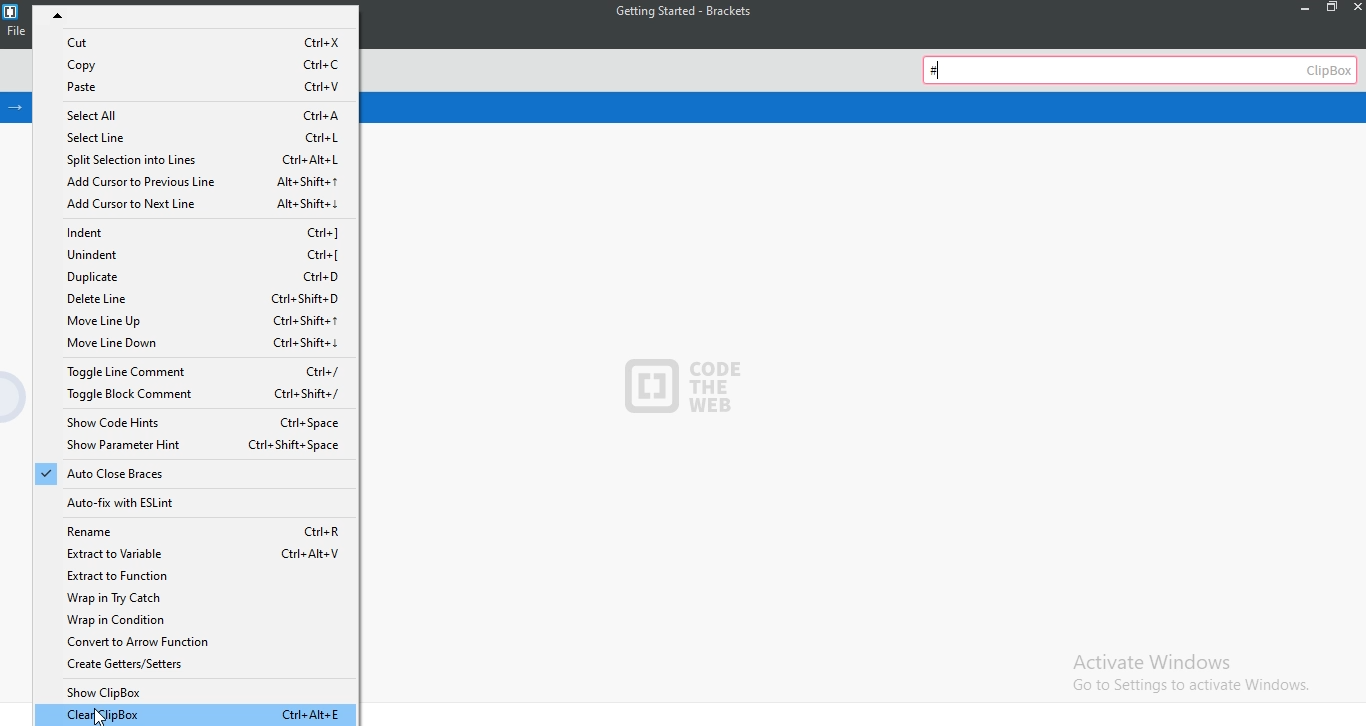 The width and height of the screenshot is (1366, 726). What do you see at coordinates (701, 390) in the screenshot?
I see `Code The Web` at bounding box center [701, 390].